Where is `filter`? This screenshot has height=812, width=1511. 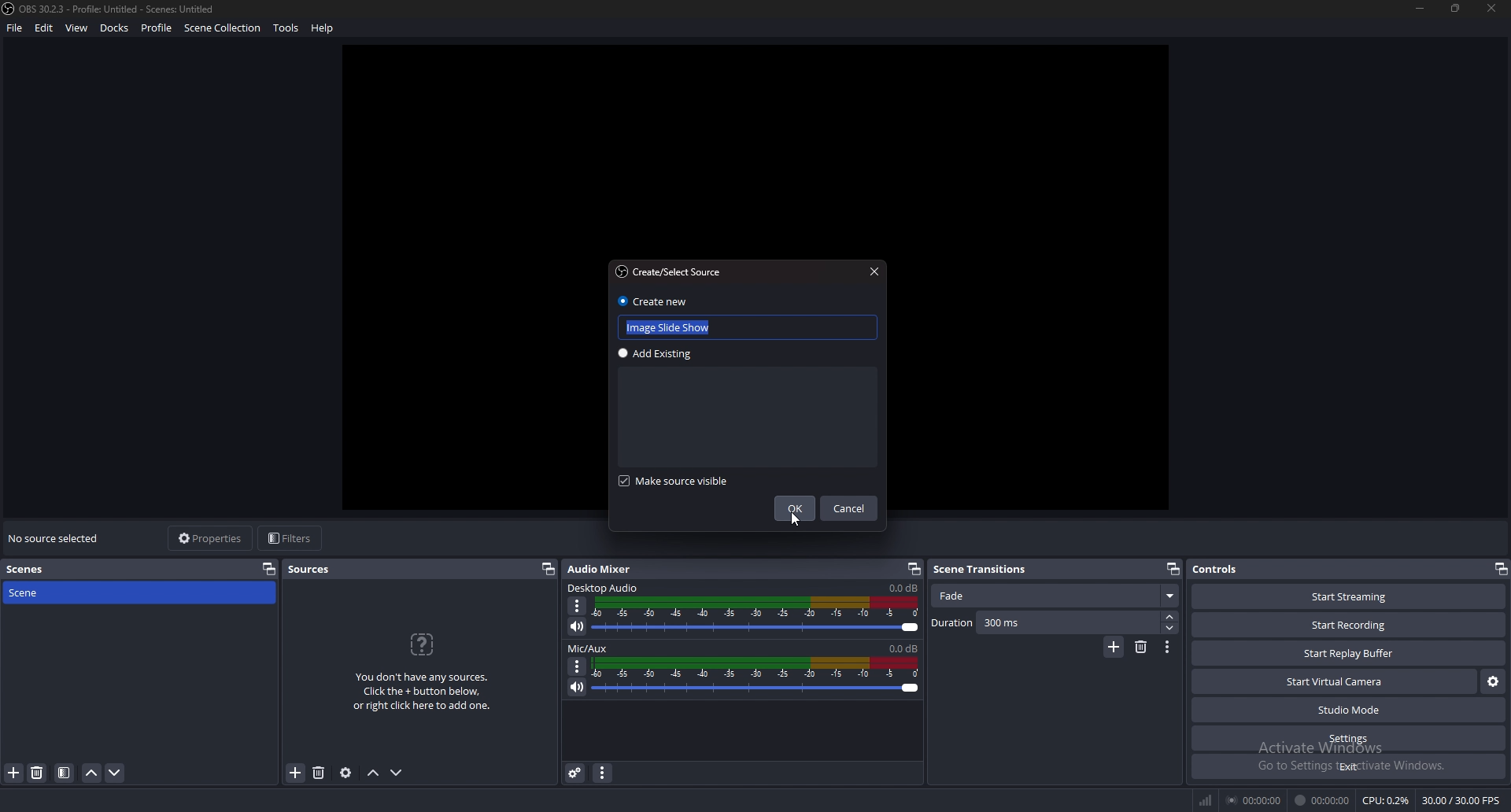
filter is located at coordinates (65, 773).